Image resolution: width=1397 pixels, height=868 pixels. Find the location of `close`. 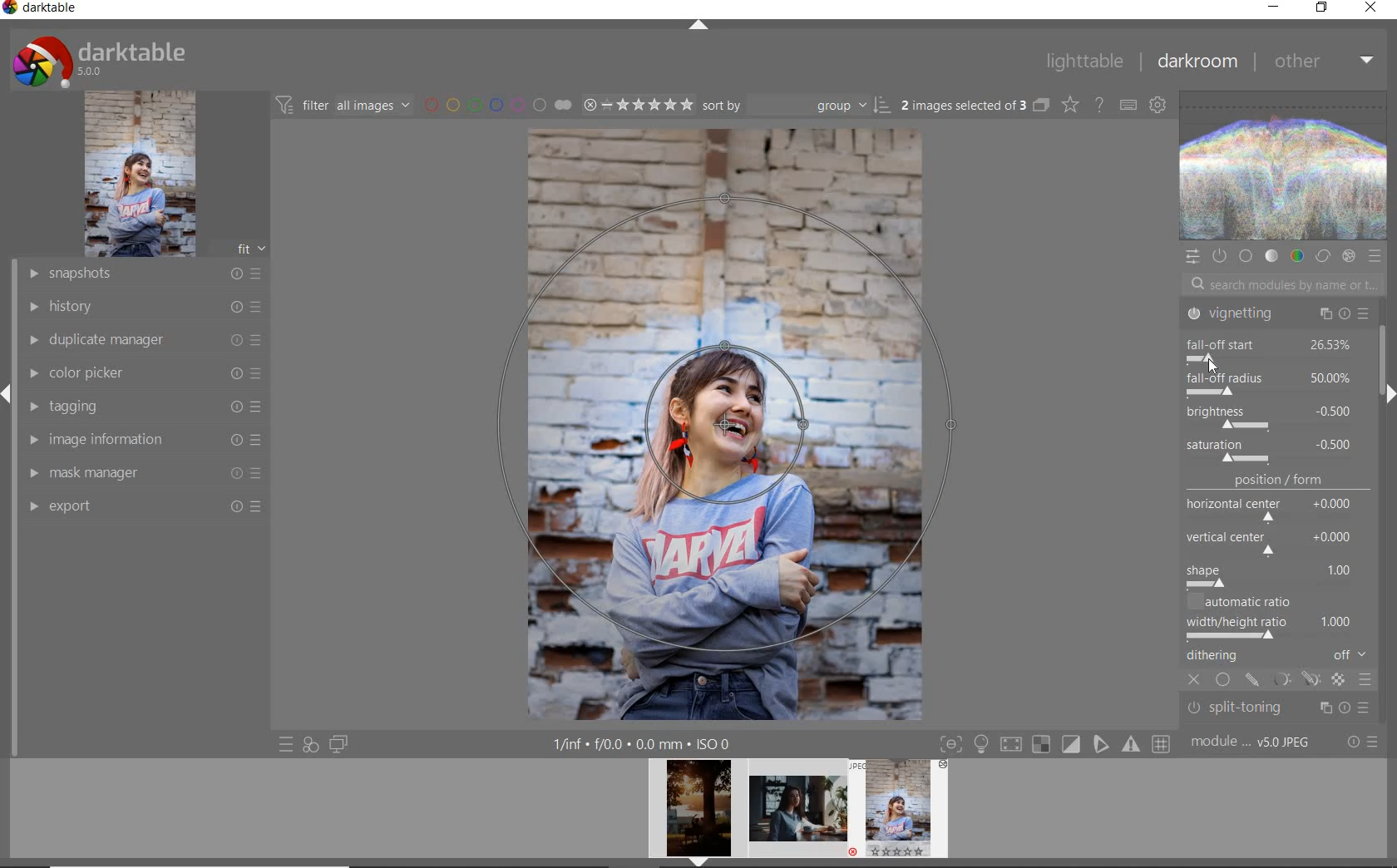

close is located at coordinates (1214, 367).